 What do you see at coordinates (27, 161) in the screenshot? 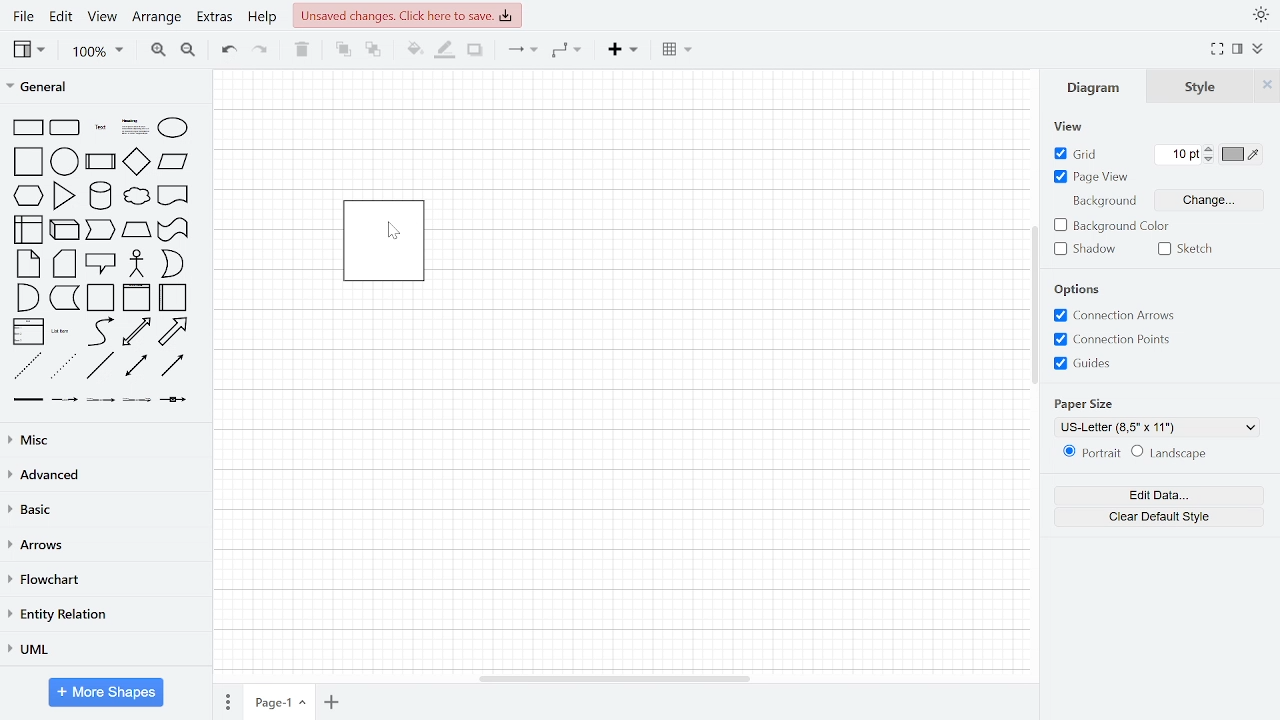
I see `square` at bounding box center [27, 161].